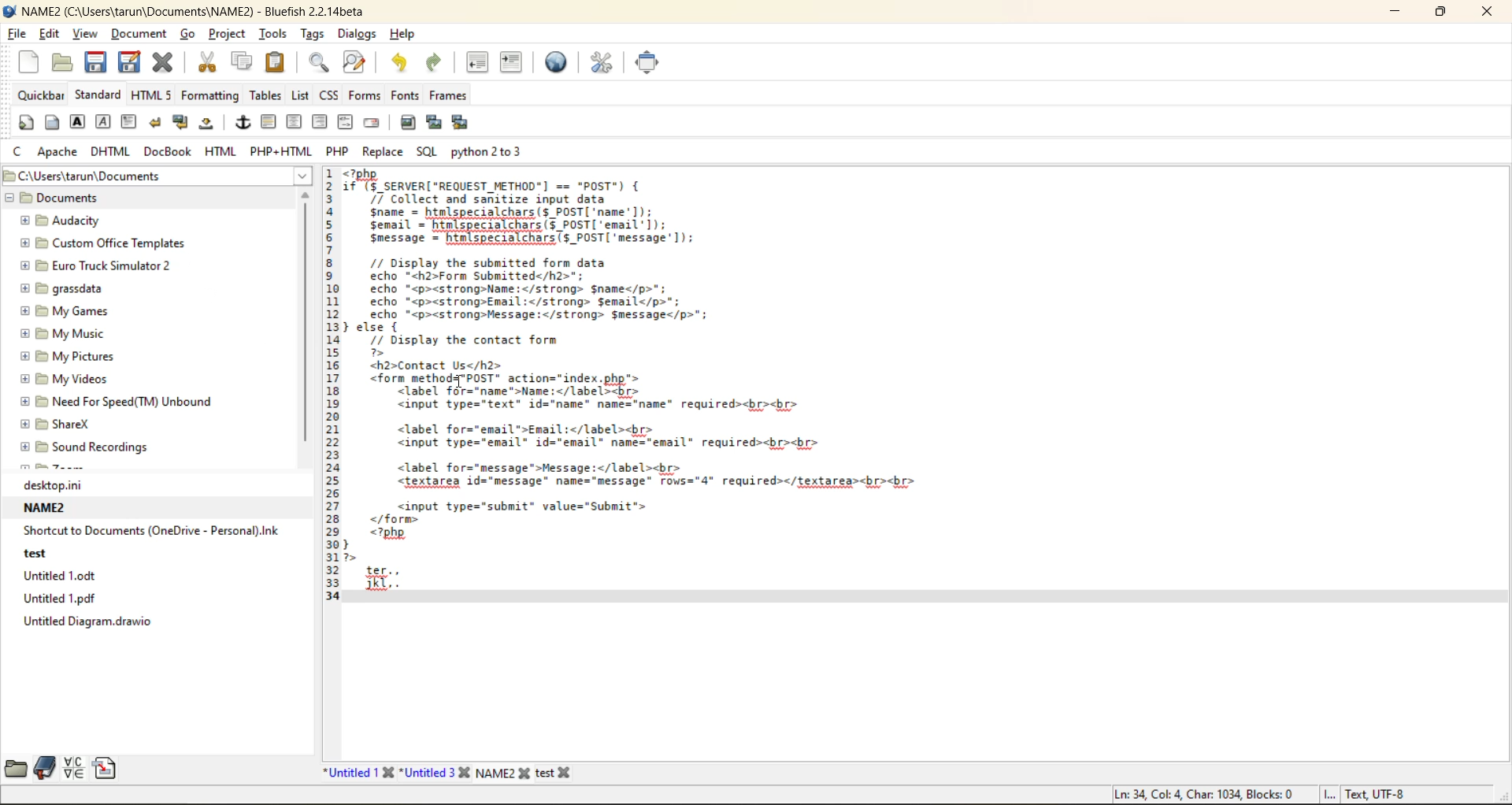  I want to click on file name and app name, so click(188, 9).